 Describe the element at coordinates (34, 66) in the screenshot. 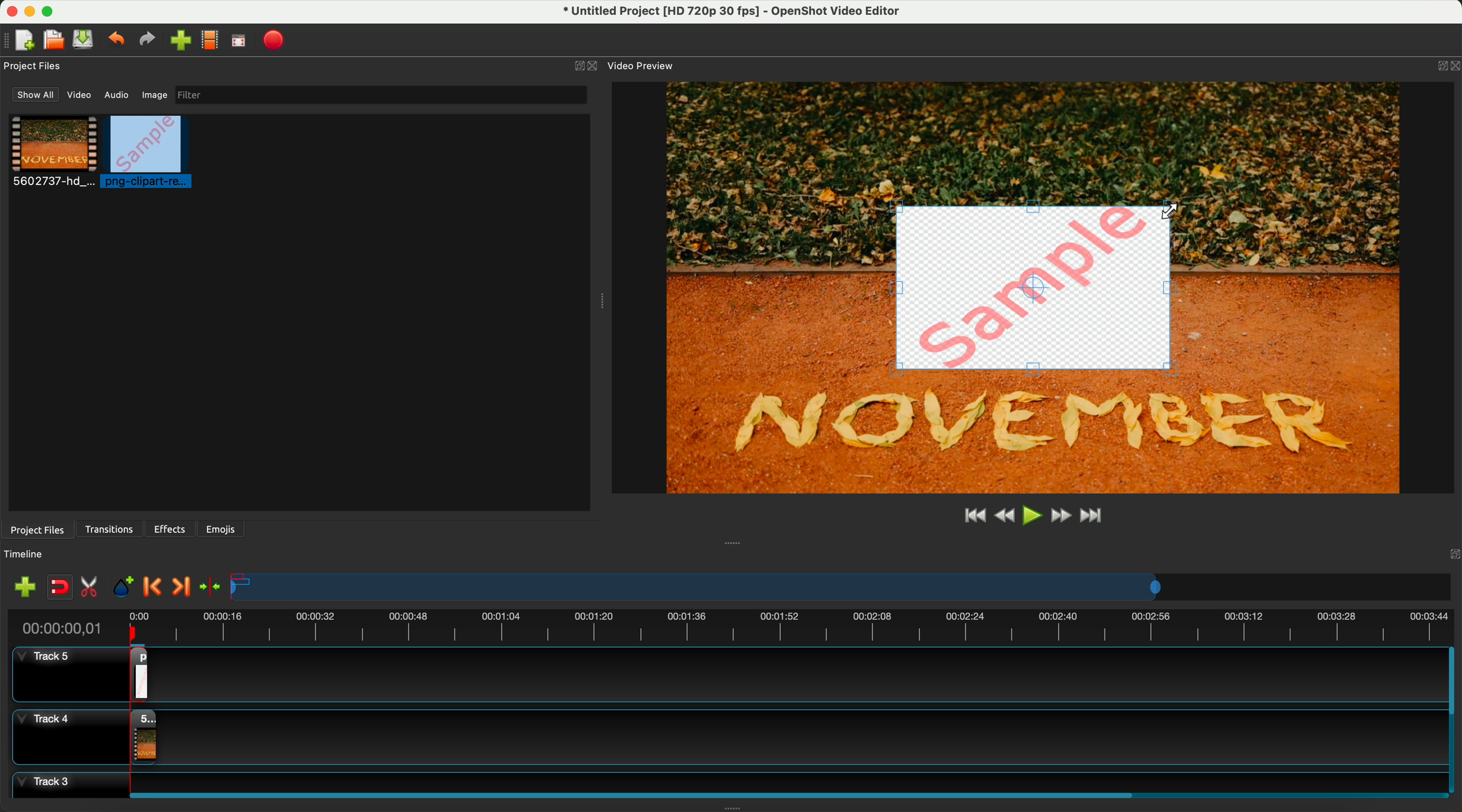

I see `project files` at that location.